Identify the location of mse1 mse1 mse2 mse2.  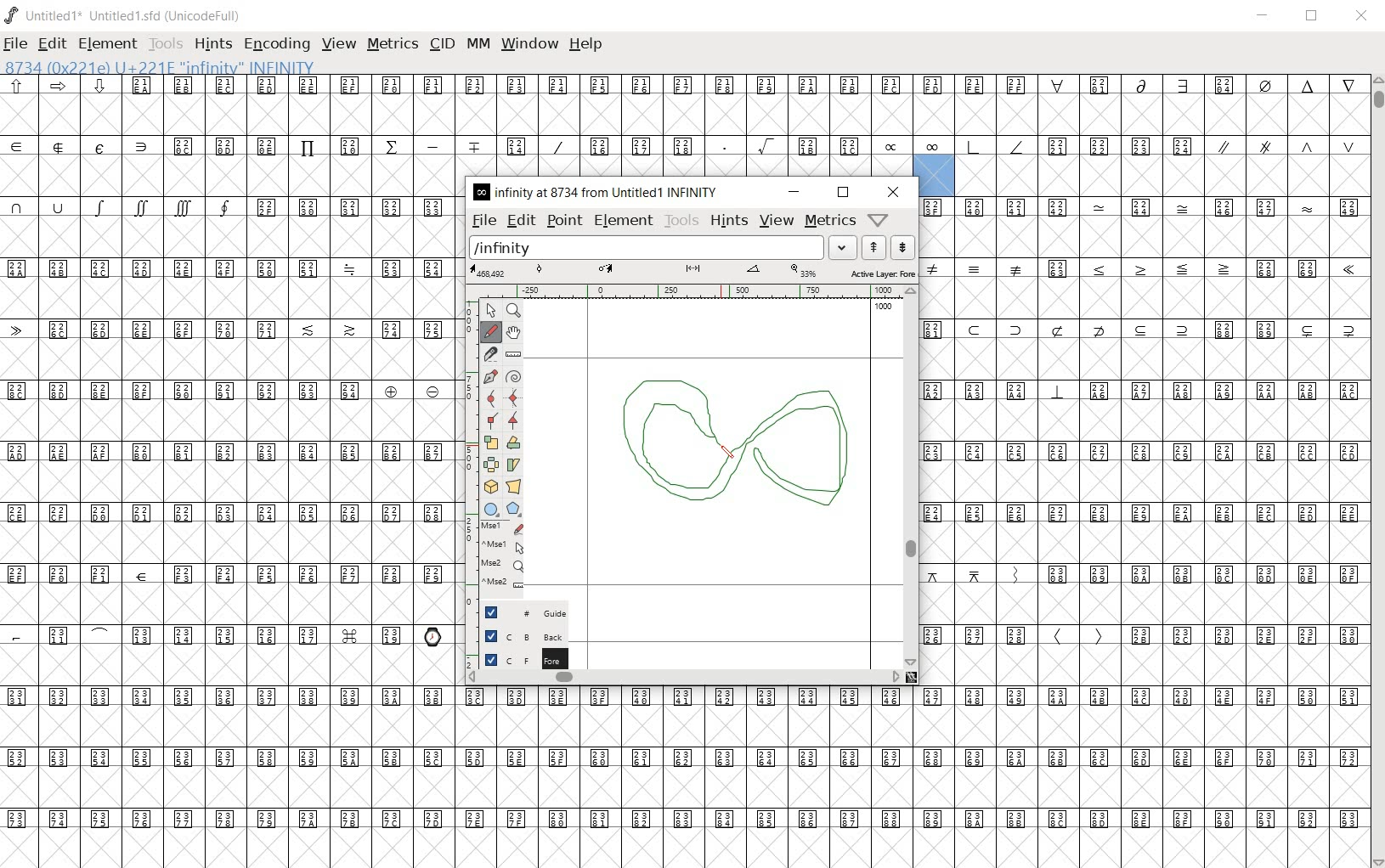
(497, 559).